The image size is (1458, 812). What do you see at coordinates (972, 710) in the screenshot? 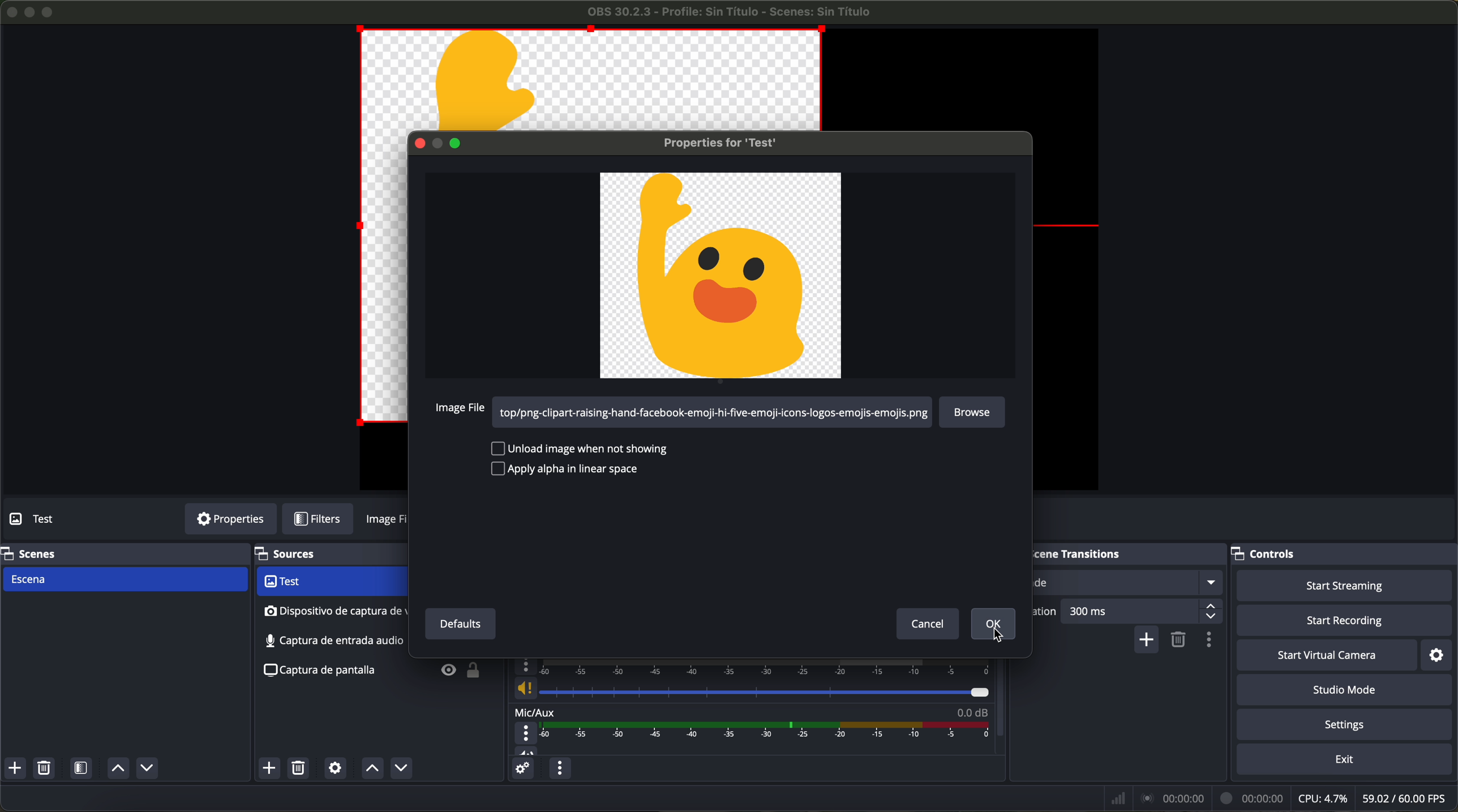
I see `0.0 dB` at bounding box center [972, 710].